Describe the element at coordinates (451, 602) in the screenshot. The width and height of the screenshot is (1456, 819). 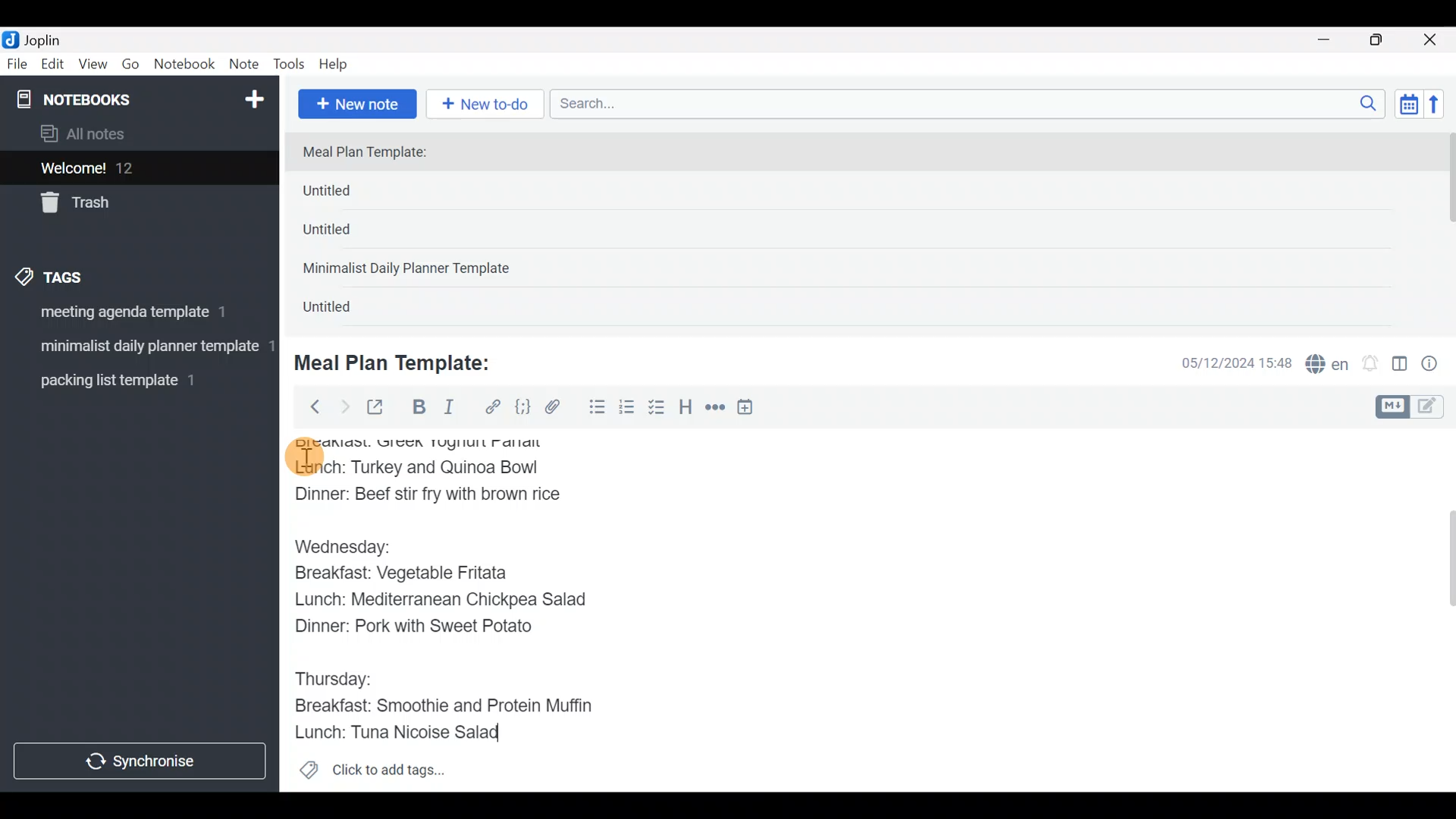
I see `Lunch: Mediterranean Chickpea Salad` at that location.